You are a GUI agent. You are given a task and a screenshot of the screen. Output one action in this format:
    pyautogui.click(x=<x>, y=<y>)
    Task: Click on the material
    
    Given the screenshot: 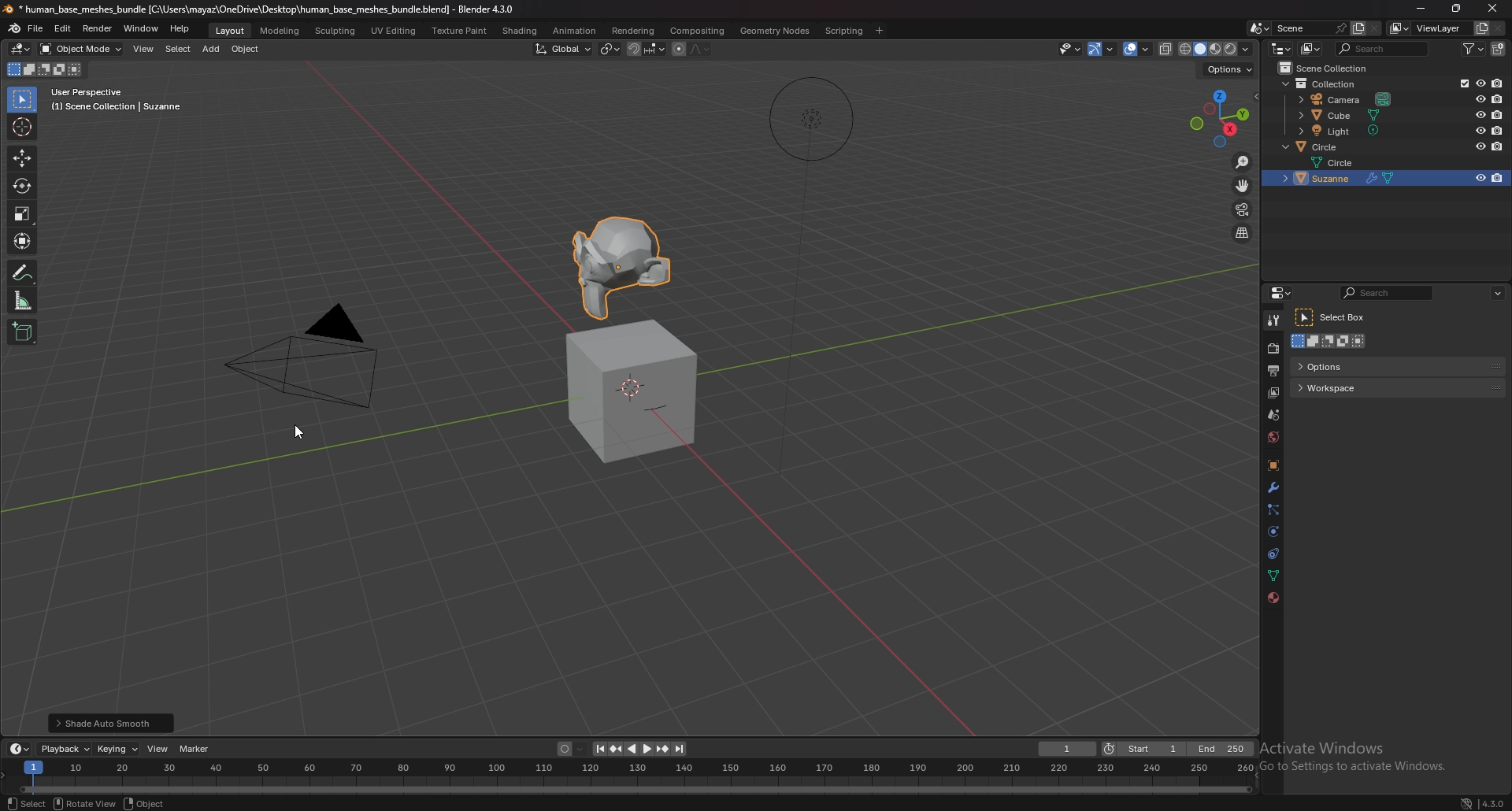 What is the action you would take?
    pyautogui.click(x=1271, y=599)
    